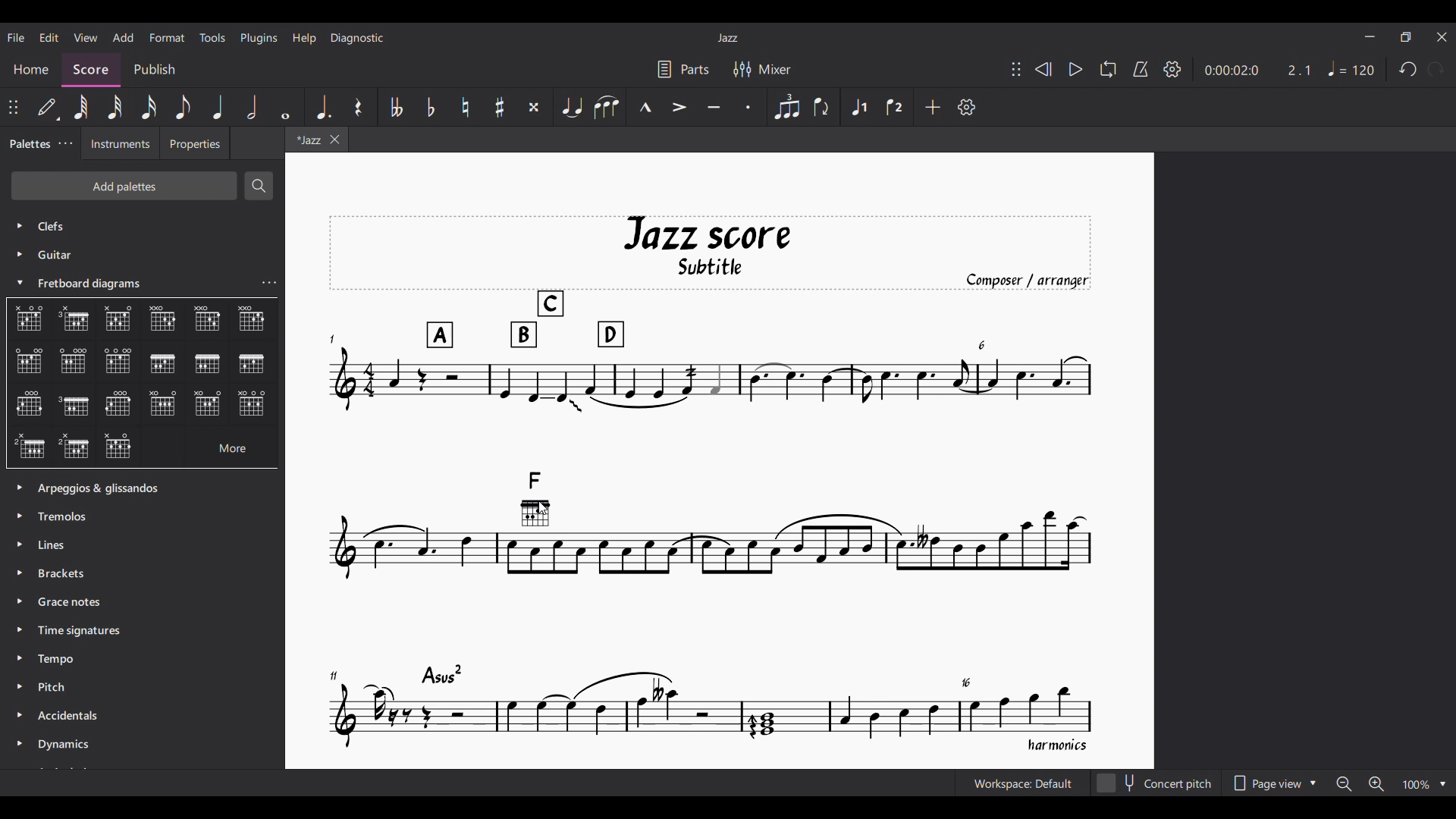  I want to click on Tenuto, so click(714, 108).